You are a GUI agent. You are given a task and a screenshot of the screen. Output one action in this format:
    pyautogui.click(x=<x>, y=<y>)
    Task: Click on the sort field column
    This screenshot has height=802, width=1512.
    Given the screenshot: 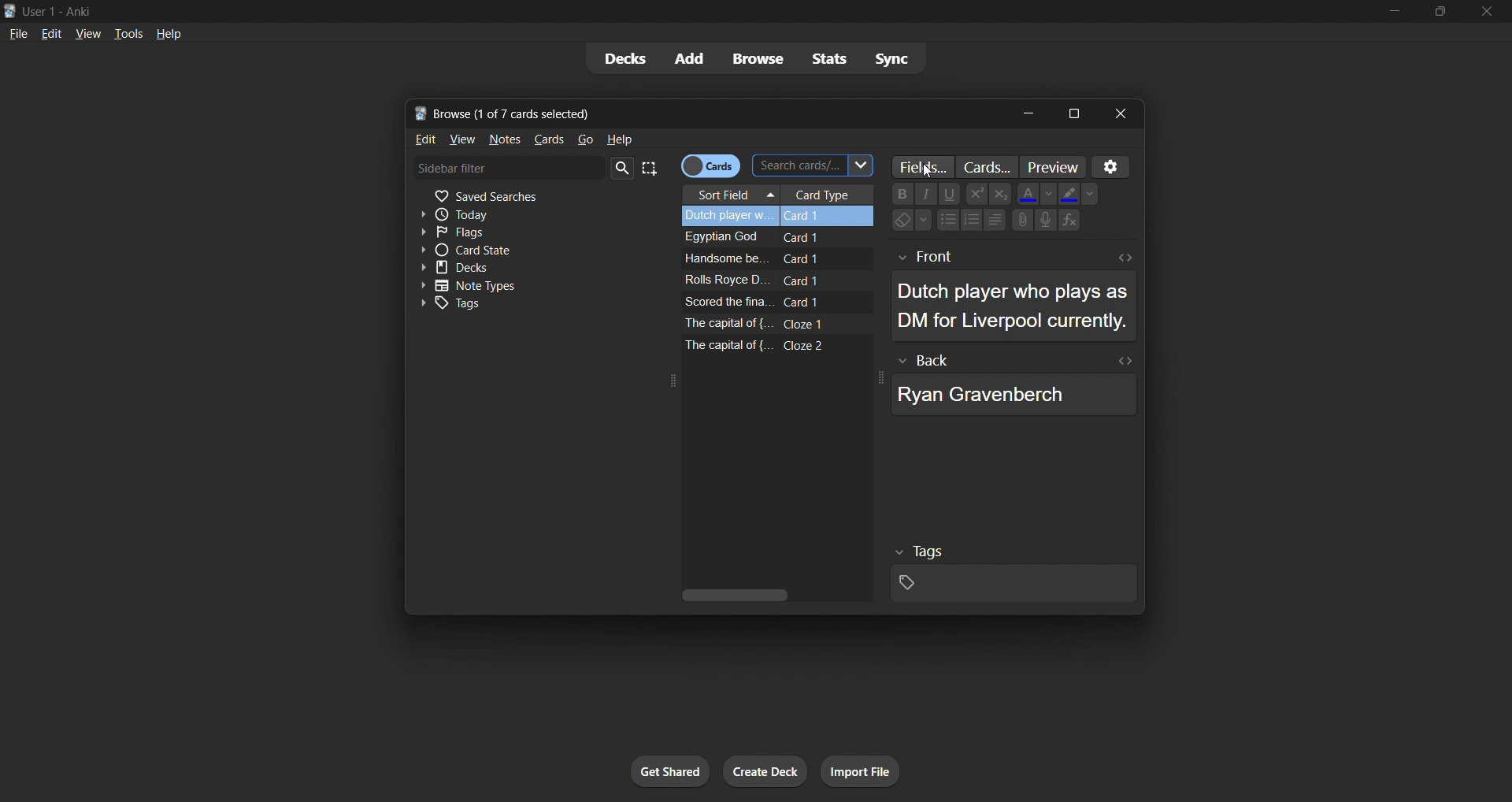 What is the action you would take?
    pyautogui.click(x=736, y=194)
    